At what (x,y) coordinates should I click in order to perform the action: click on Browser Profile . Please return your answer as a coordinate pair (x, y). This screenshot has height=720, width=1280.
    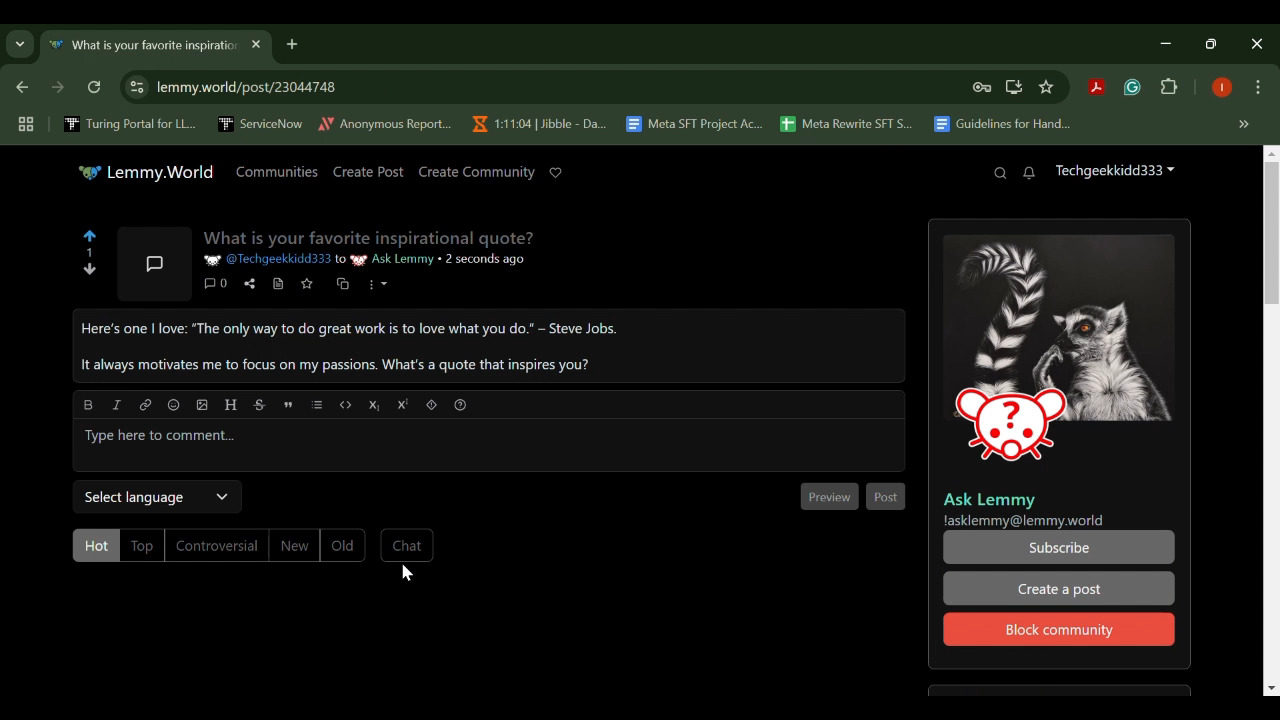
    Looking at the image, I should click on (1222, 89).